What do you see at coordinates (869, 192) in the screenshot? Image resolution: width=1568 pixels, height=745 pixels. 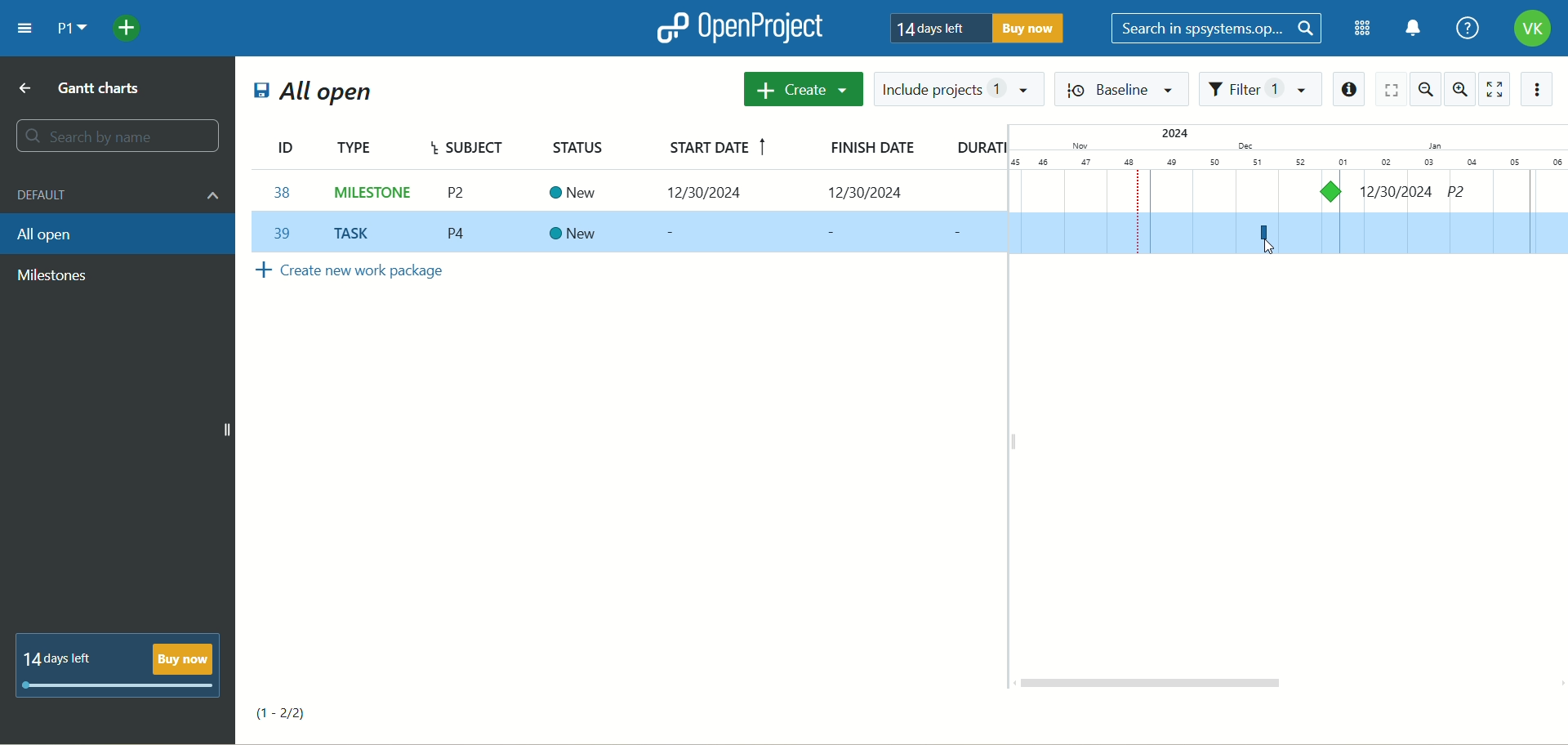 I see `12/30/2024` at bounding box center [869, 192].